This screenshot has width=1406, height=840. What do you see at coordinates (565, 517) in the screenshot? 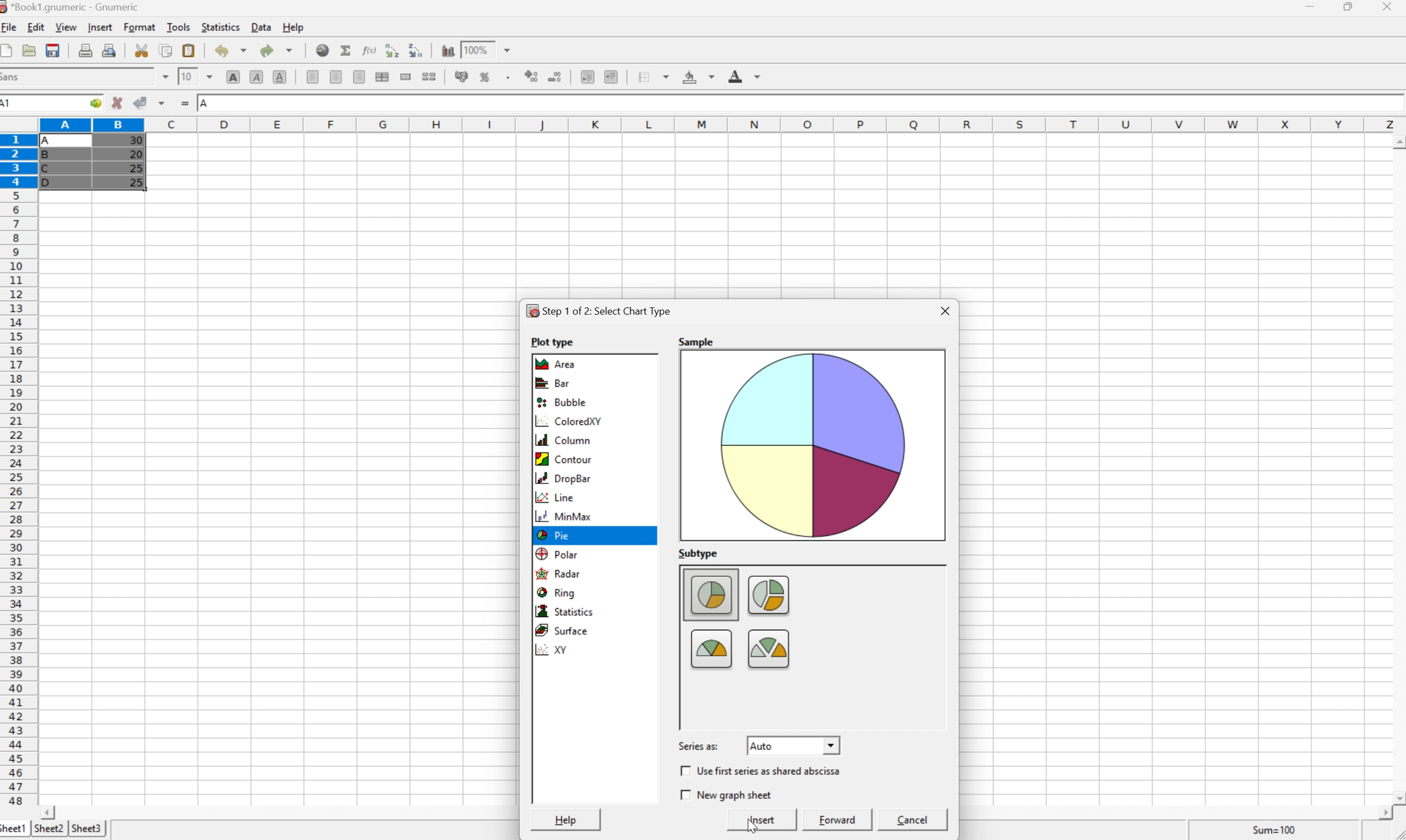
I see `MinMax` at bounding box center [565, 517].